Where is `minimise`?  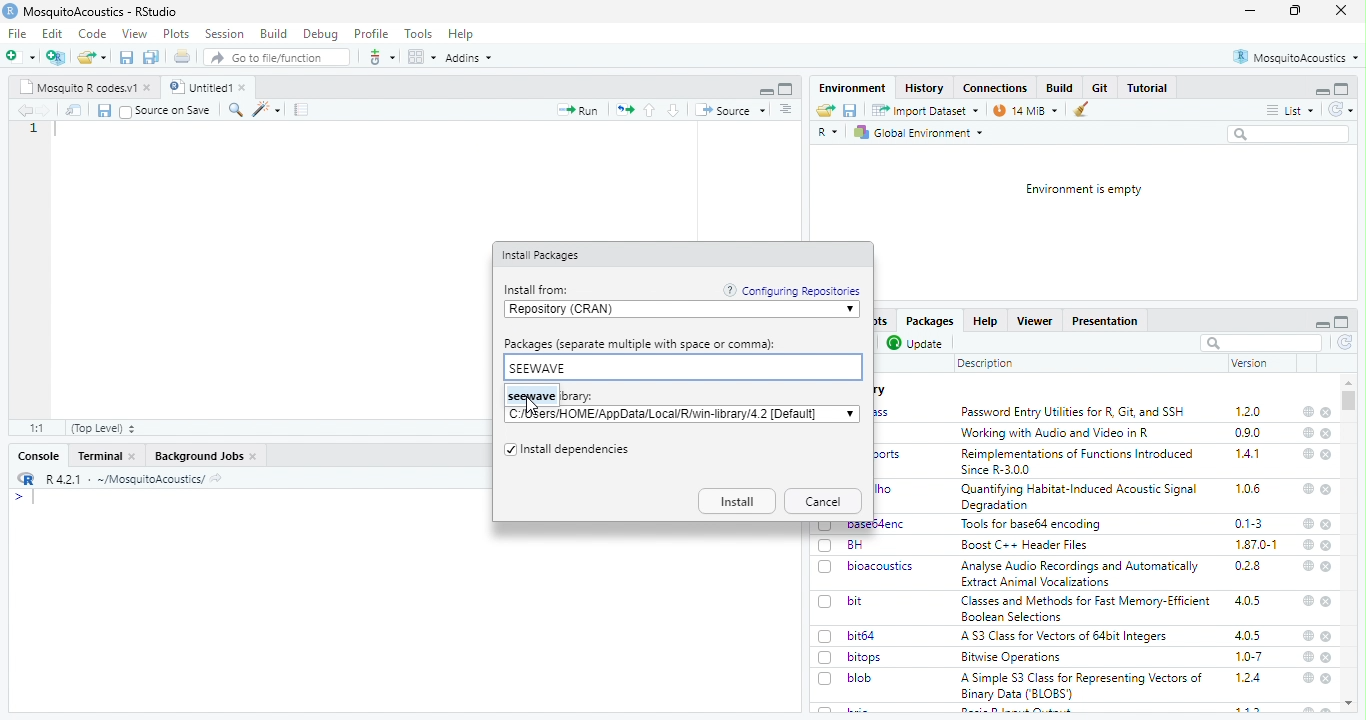
minimise is located at coordinates (1251, 11).